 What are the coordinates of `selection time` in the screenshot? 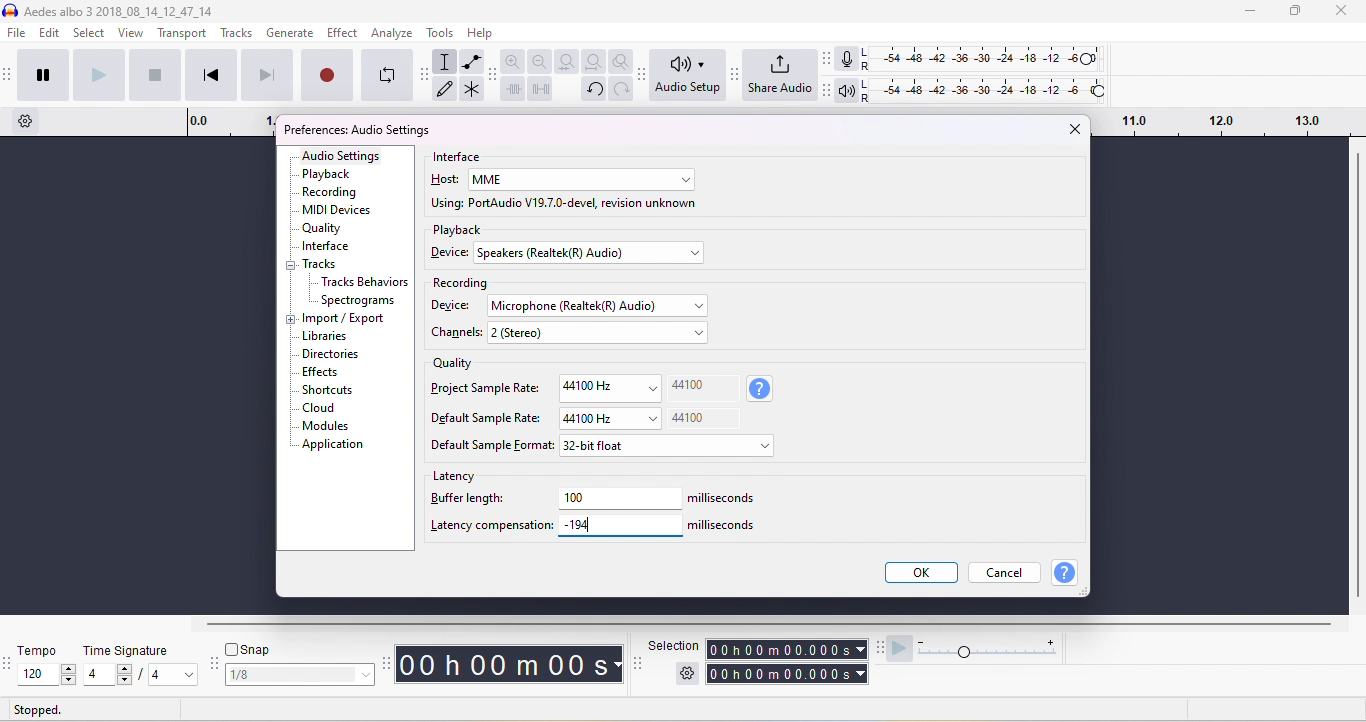 It's located at (778, 650).